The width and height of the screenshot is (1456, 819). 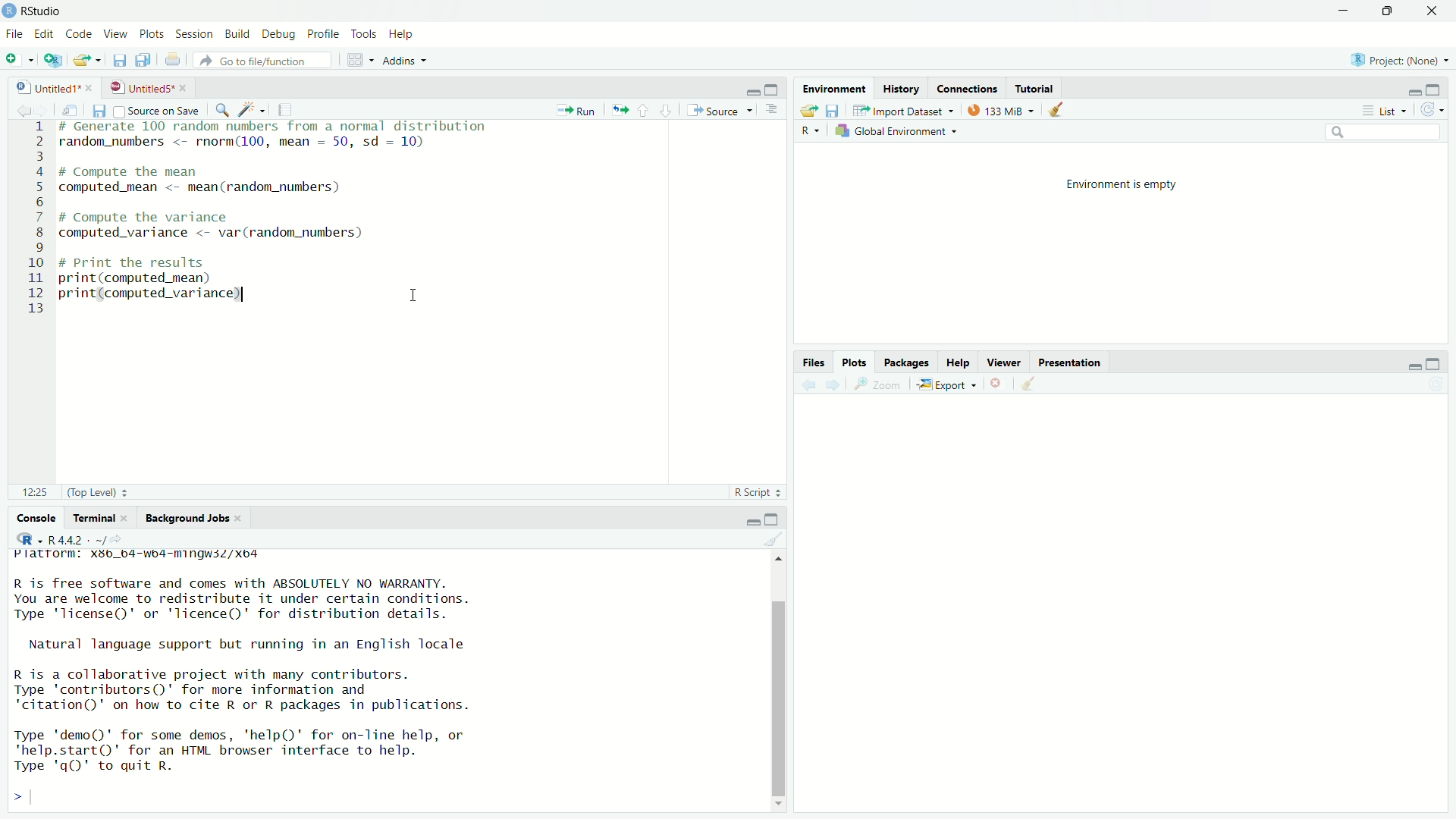 I want to click on Natural language support but running in an English locale, so click(x=247, y=644).